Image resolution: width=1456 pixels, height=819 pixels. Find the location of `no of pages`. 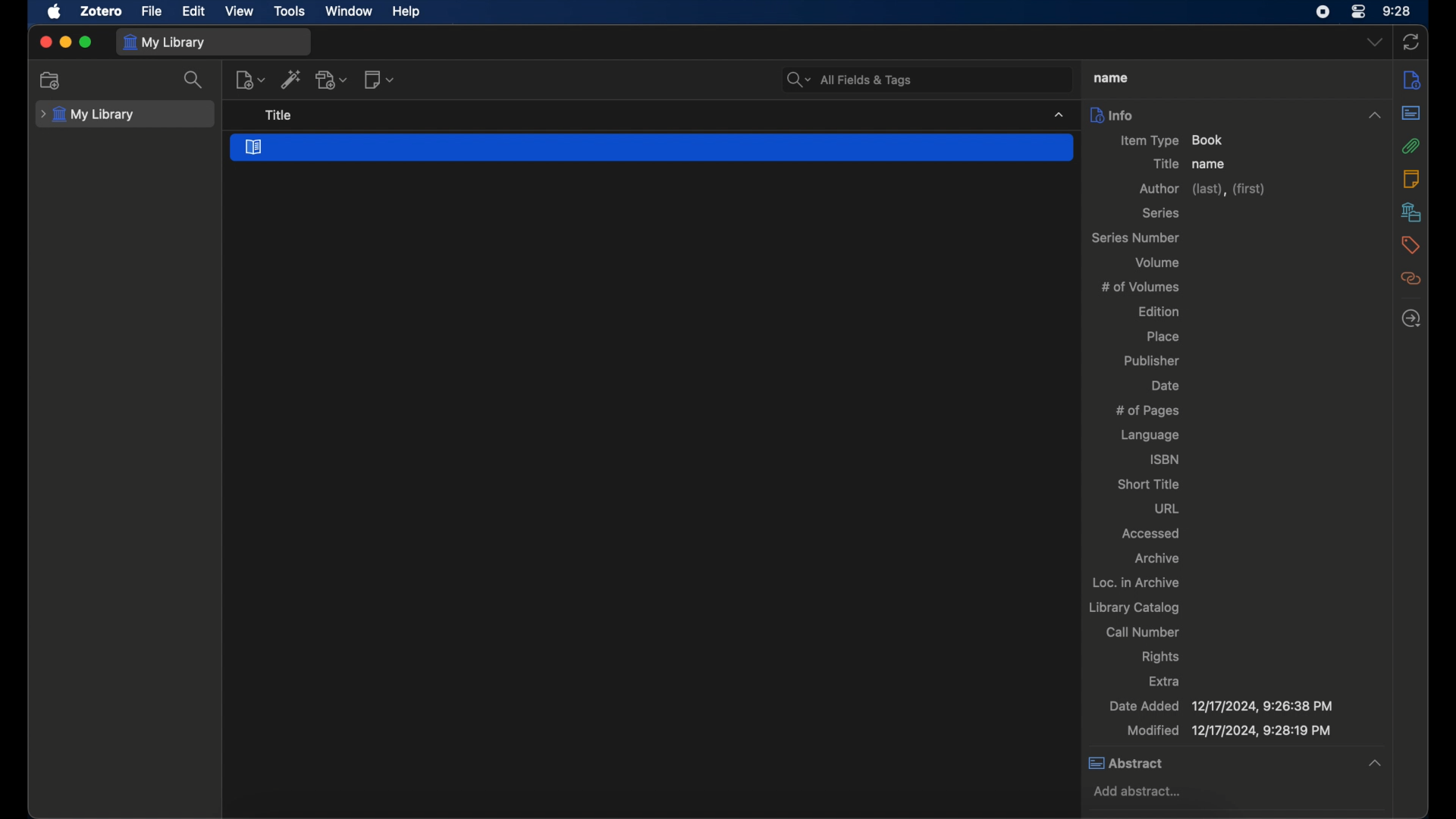

no of pages is located at coordinates (1147, 410).